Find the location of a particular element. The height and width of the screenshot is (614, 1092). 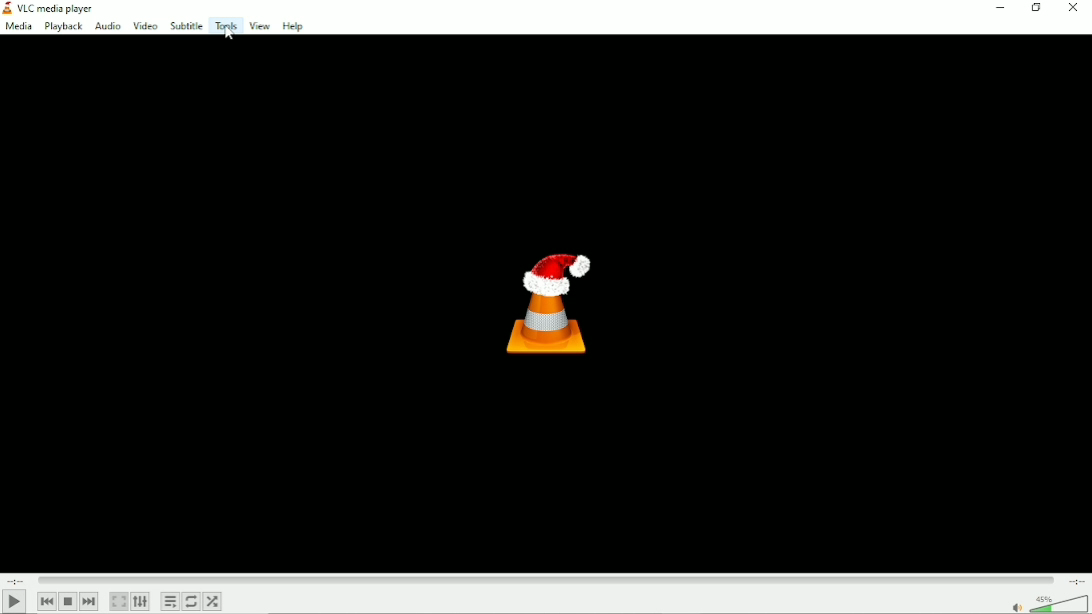

Close is located at coordinates (1075, 8).